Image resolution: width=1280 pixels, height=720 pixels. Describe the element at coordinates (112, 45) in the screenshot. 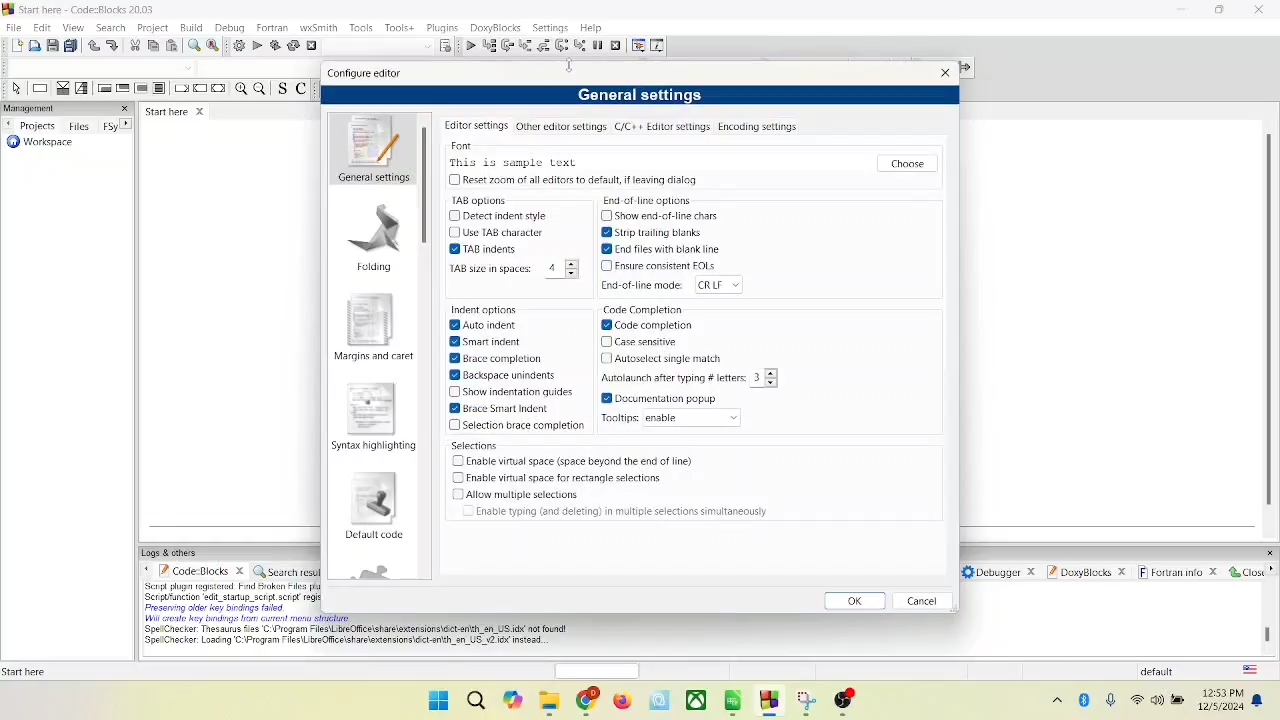

I see `redo` at that location.